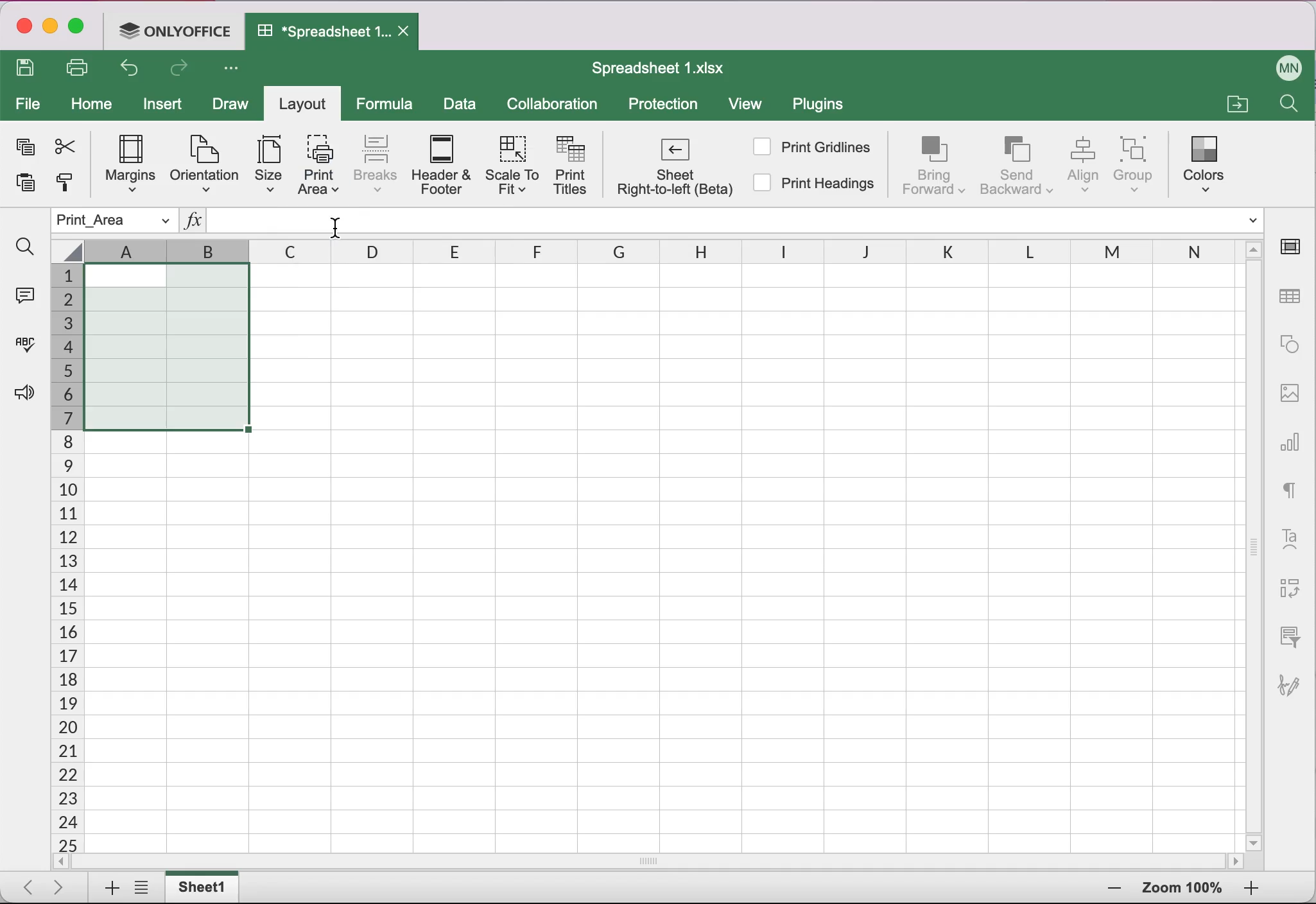  What do you see at coordinates (1290, 65) in the screenshot?
I see `user name` at bounding box center [1290, 65].